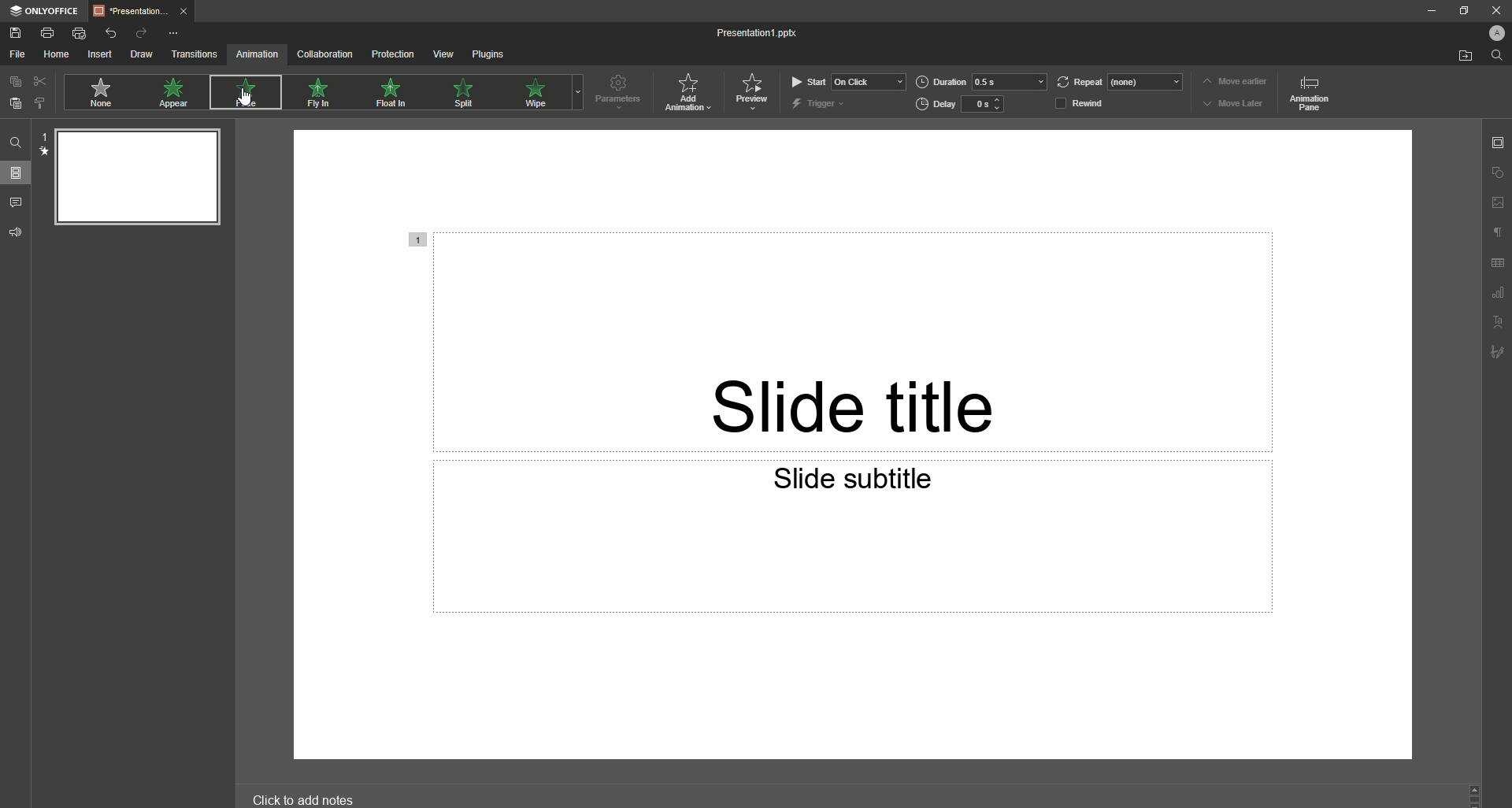 The height and width of the screenshot is (808, 1512). Describe the element at coordinates (139, 55) in the screenshot. I see `Draw` at that location.